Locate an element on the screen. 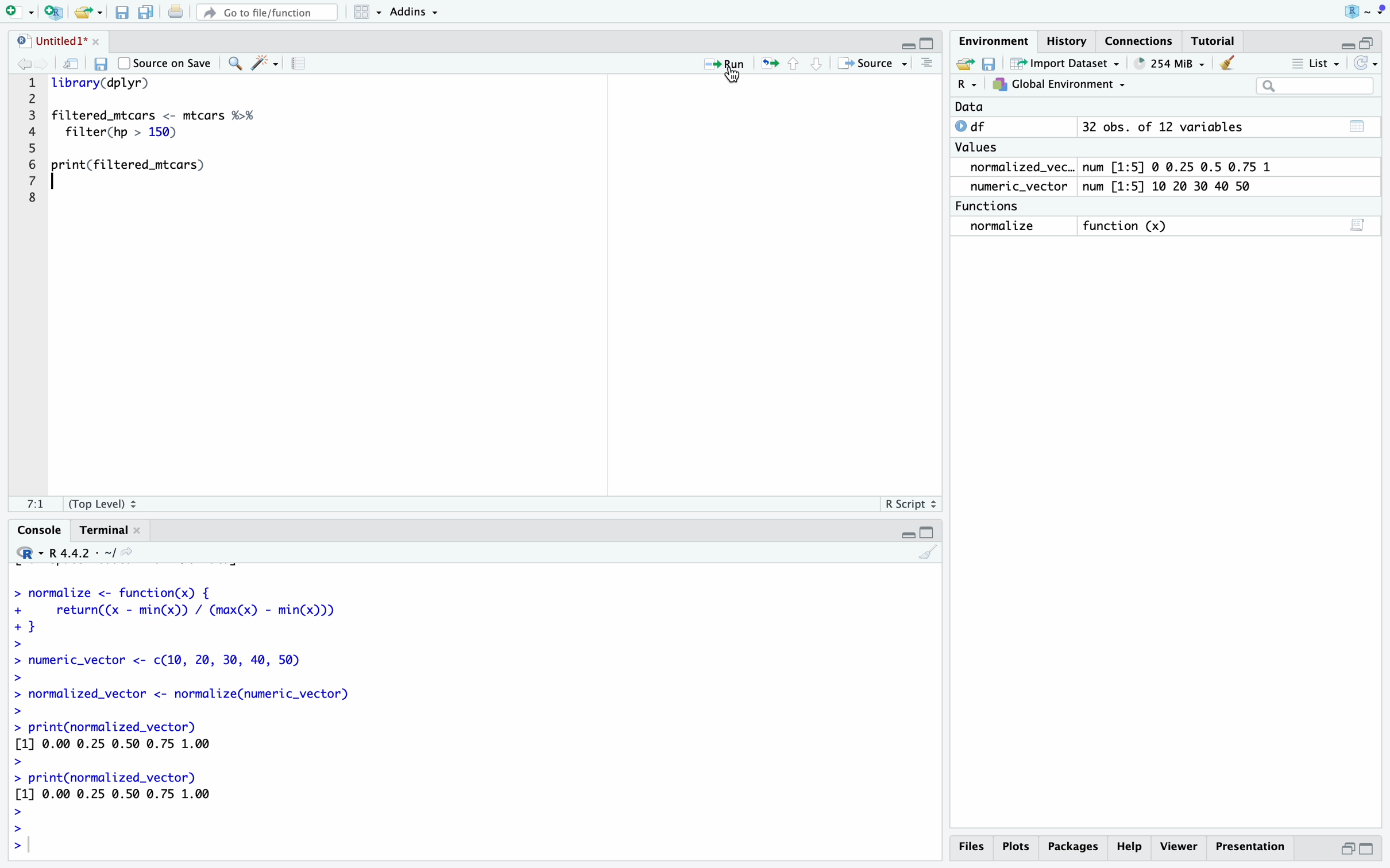  search bar is located at coordinates (1316, 87).